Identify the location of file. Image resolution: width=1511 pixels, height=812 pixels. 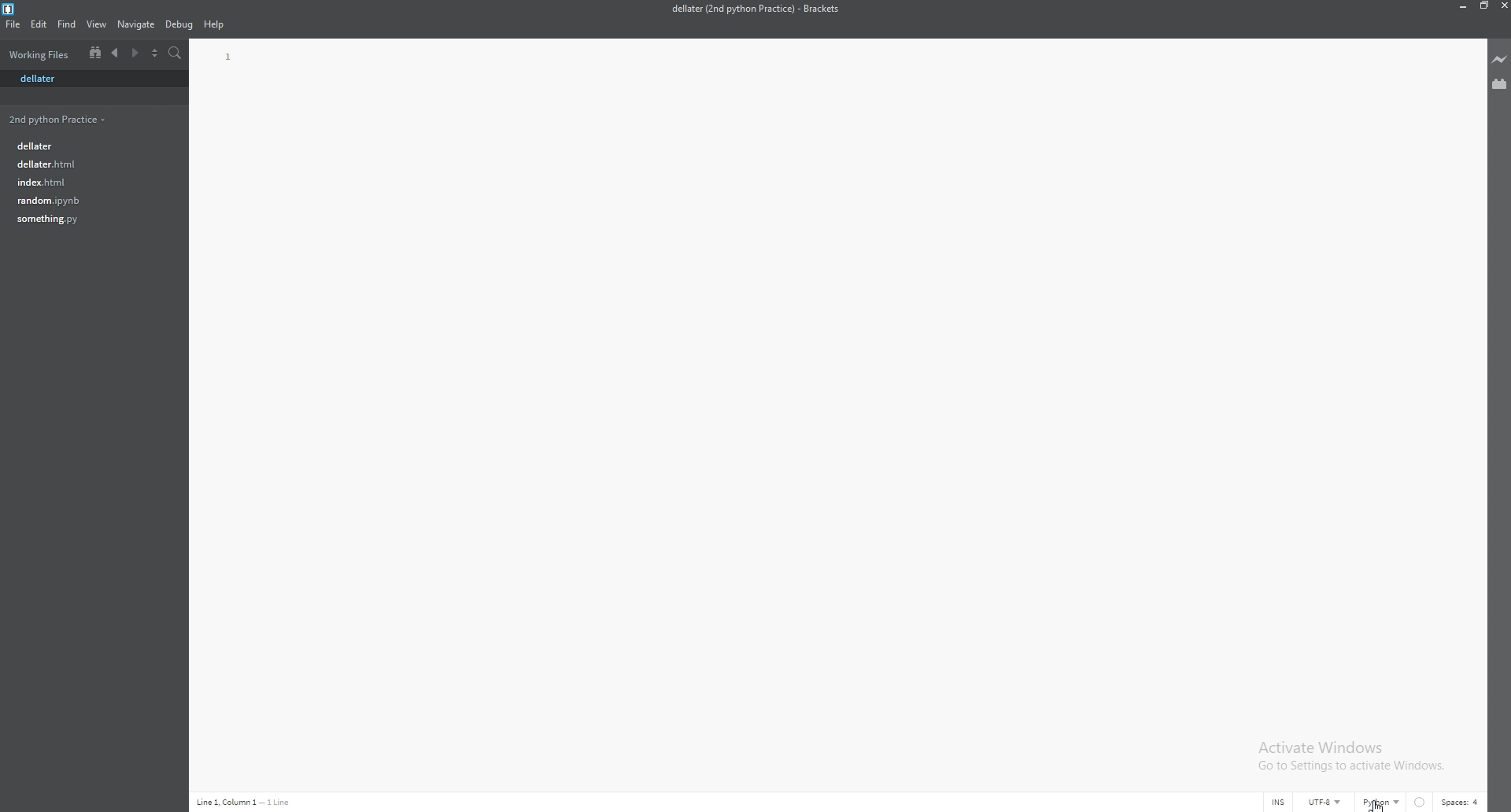
(86, 200).